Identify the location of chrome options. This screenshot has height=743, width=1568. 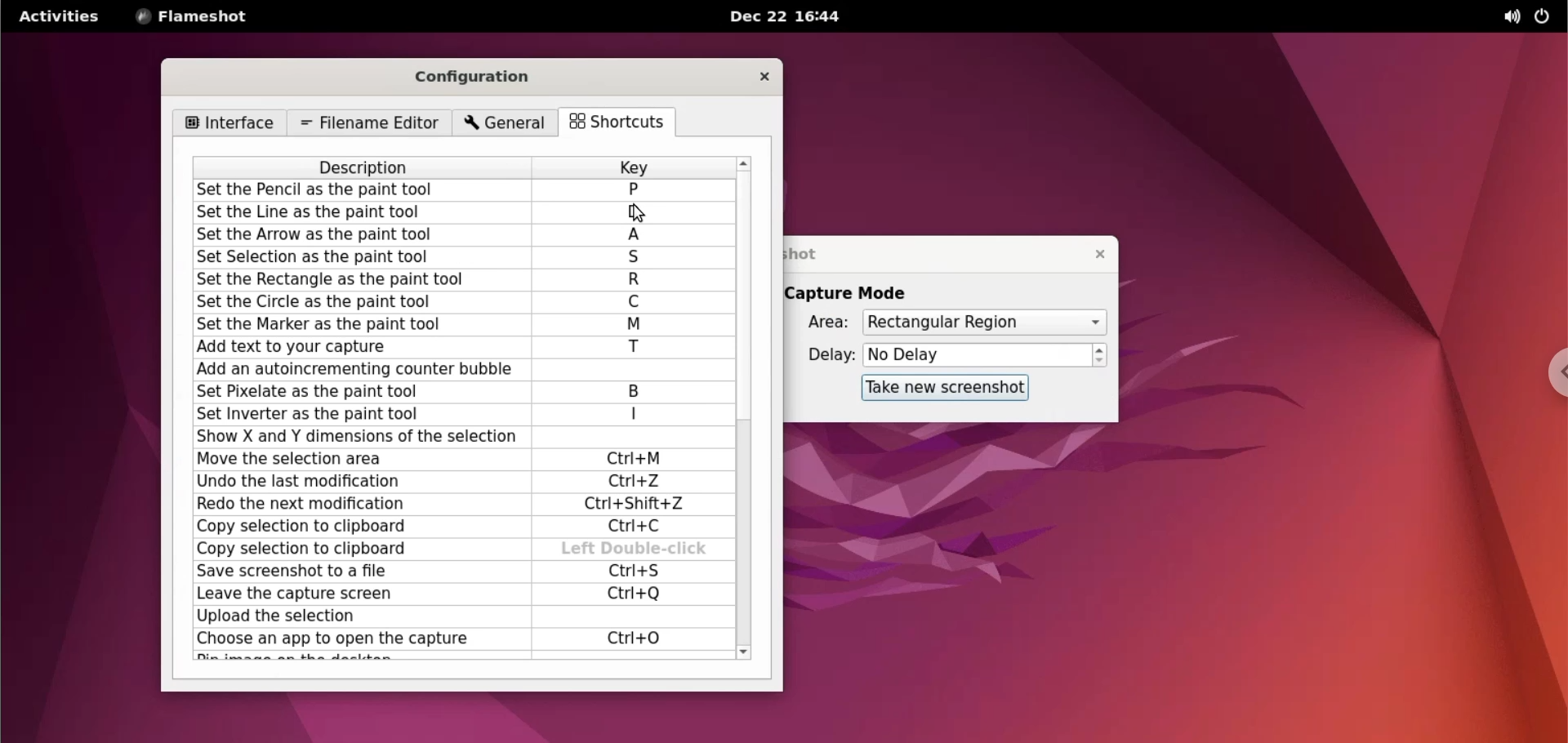
(1548, 372).